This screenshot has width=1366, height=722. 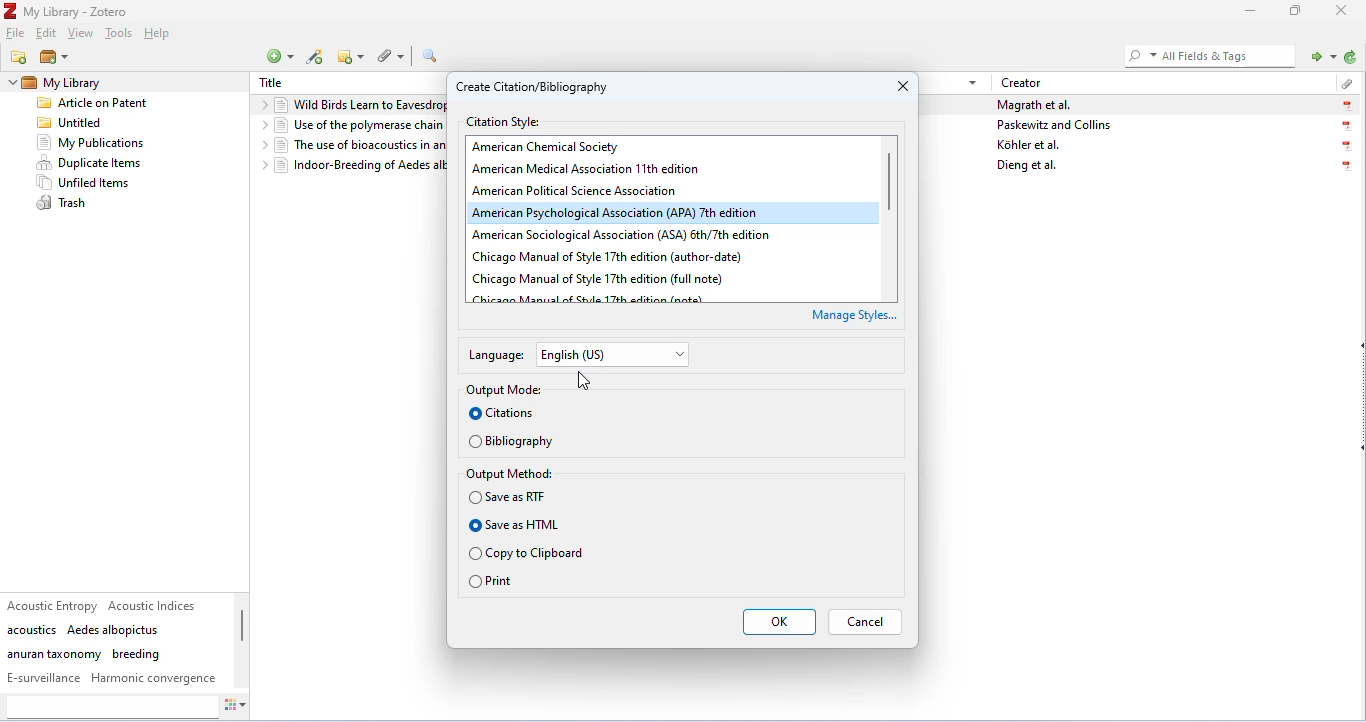 I want to click on close, so click(x=899, y=84).